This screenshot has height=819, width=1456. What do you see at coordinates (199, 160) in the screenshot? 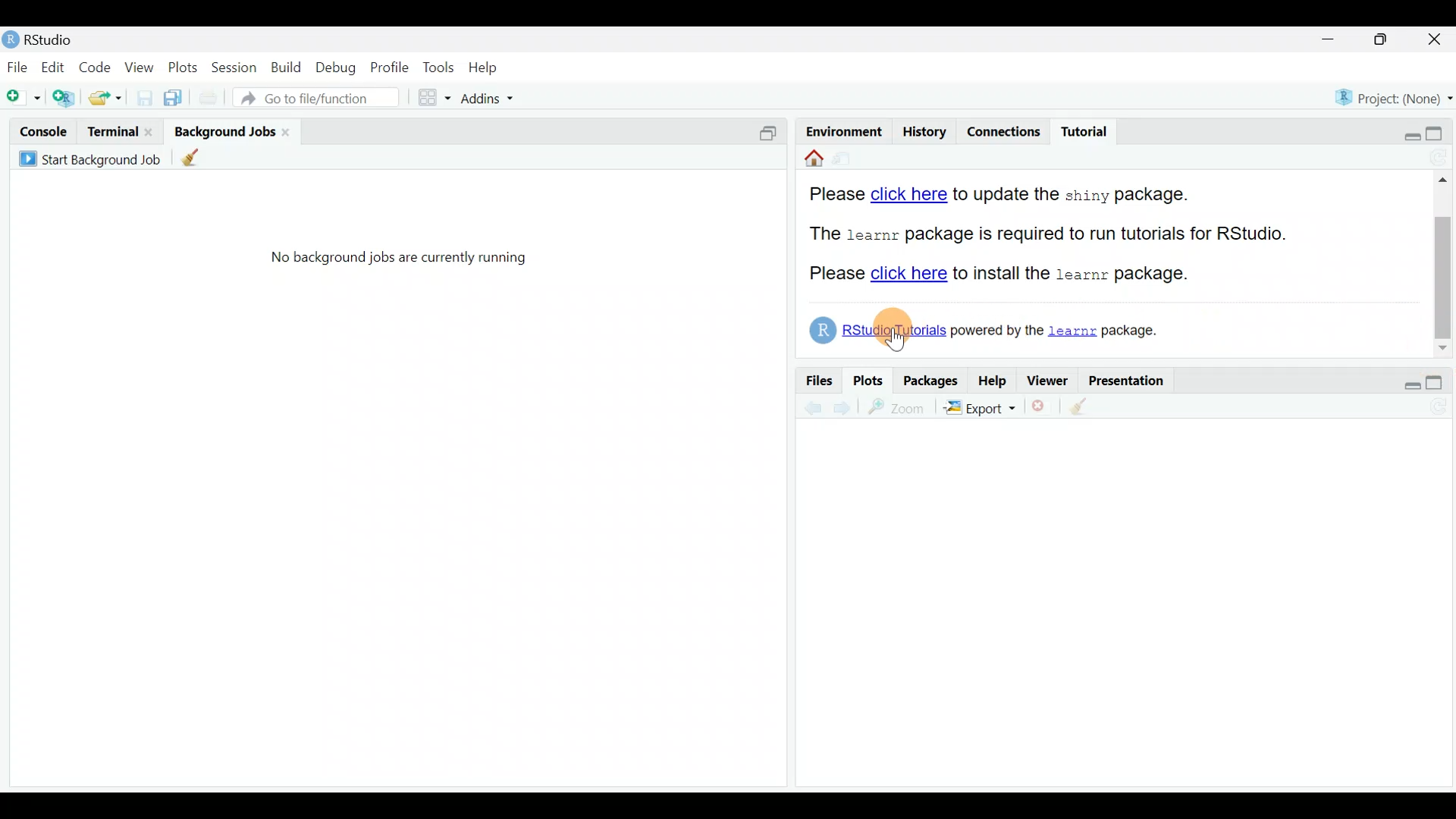
I see `clean up all completed background jobs` at bounding box center [199, 160].